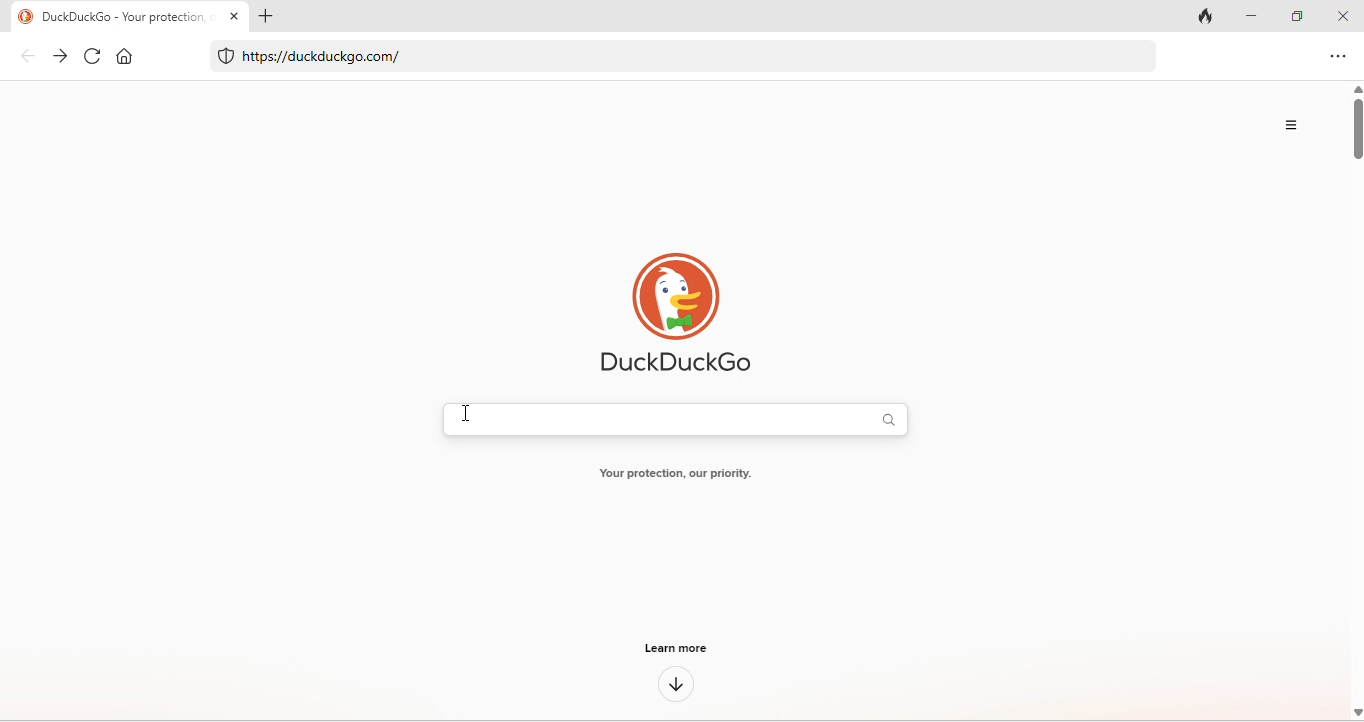 The height and width of the screenshot is (722, 1364). I want to click on minimize, so click(1251, 14).